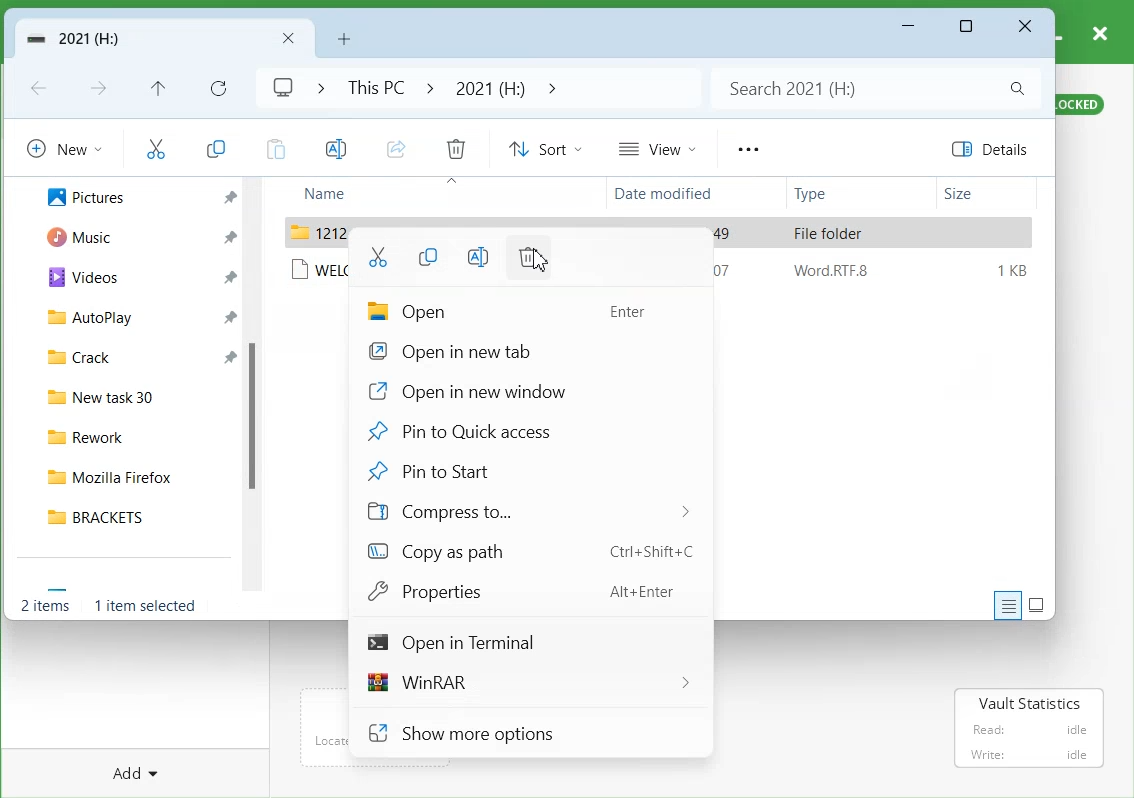 The width and height of the screenshot is (1134, 798). Describe the element at coordinates (476, 255) in the screenshot. I see `Rename` at that location.